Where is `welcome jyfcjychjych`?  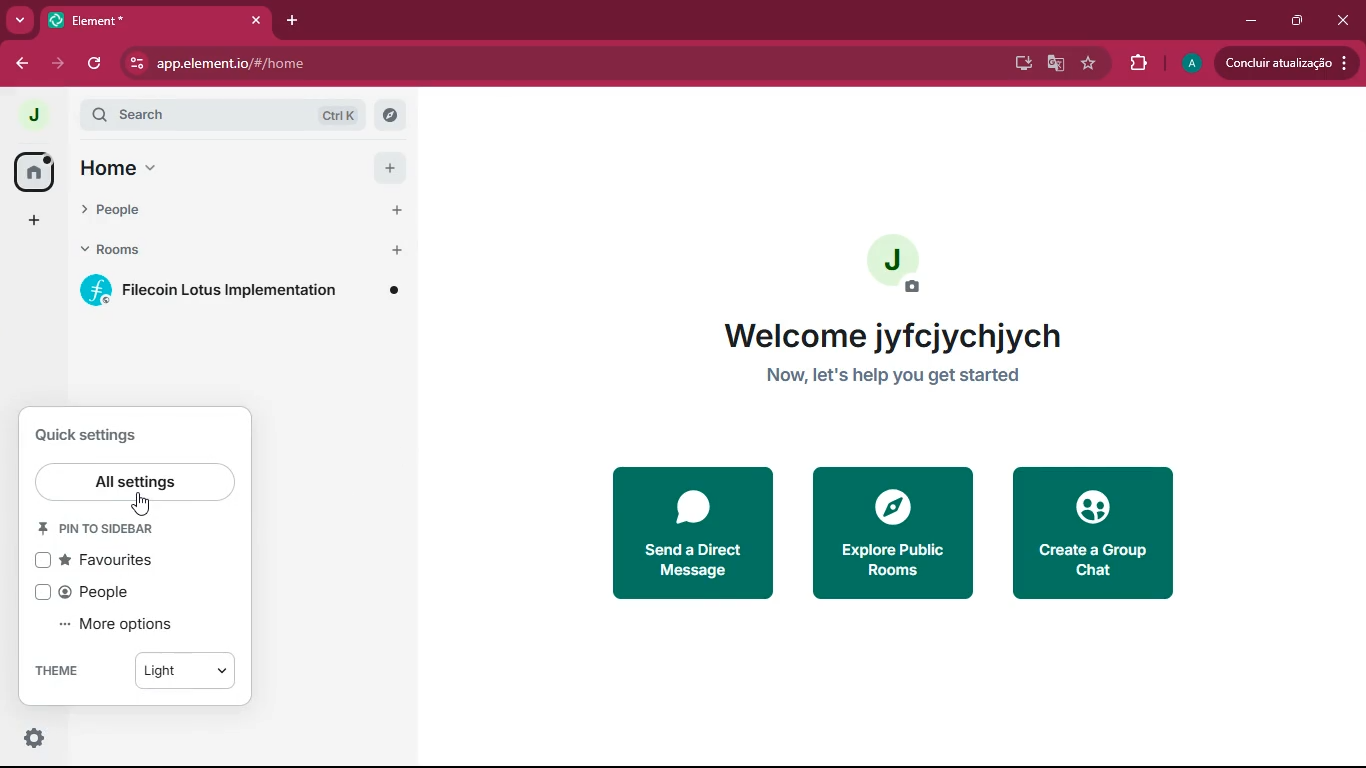
welcome jyfcjychjych is located at coordinates (900, 336).